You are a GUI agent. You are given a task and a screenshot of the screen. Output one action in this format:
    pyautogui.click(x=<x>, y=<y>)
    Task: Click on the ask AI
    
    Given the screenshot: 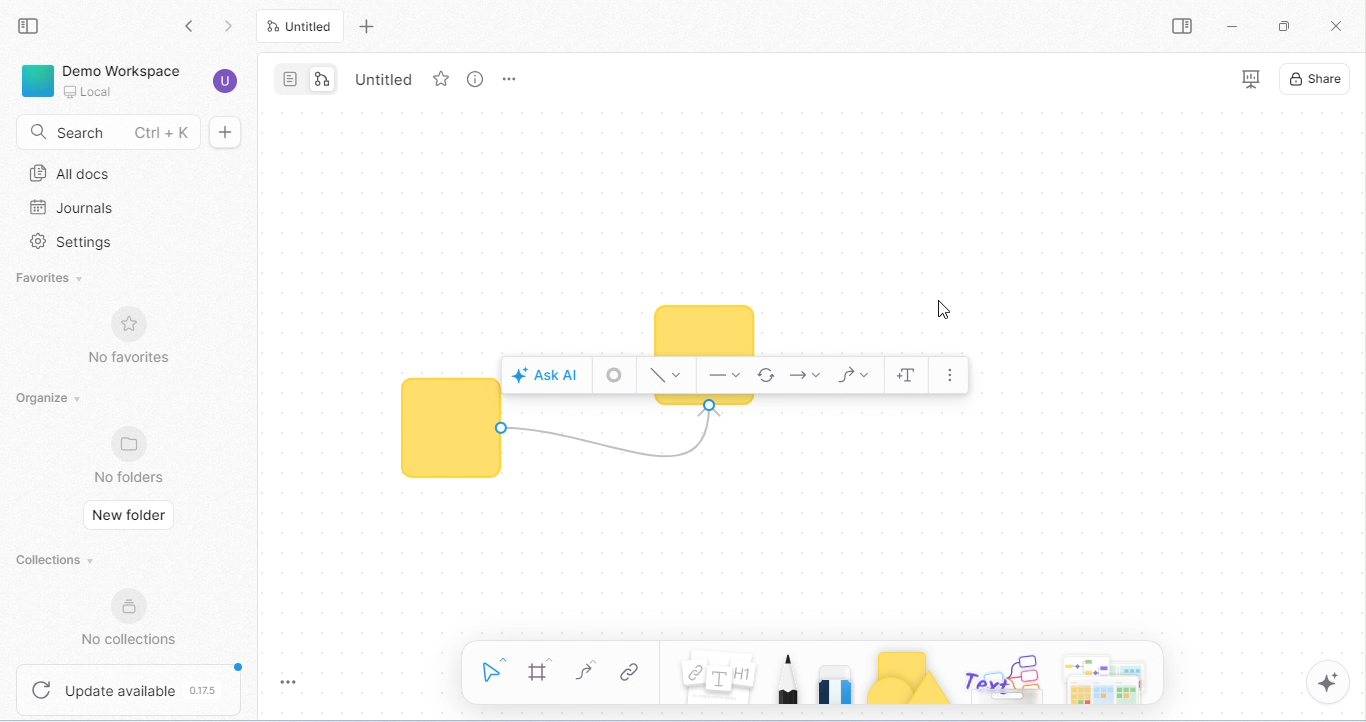 What is the action you would take?
    pyautogui.click(x=547, y=373)
    